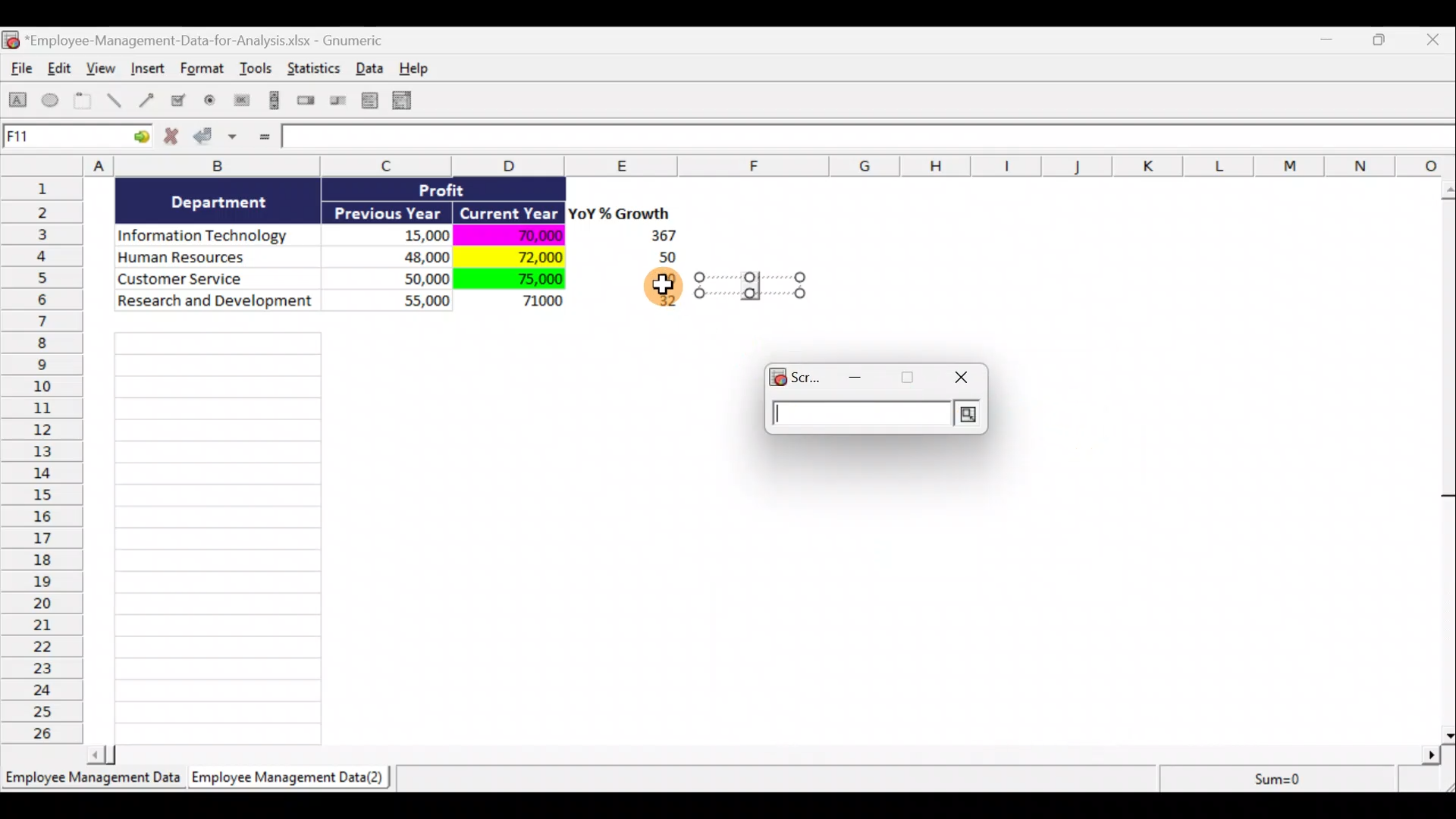  What do you see at coordinates (77, 139) in the screenshot?
I see `Cell allocation` at bounding box center [77, 139].